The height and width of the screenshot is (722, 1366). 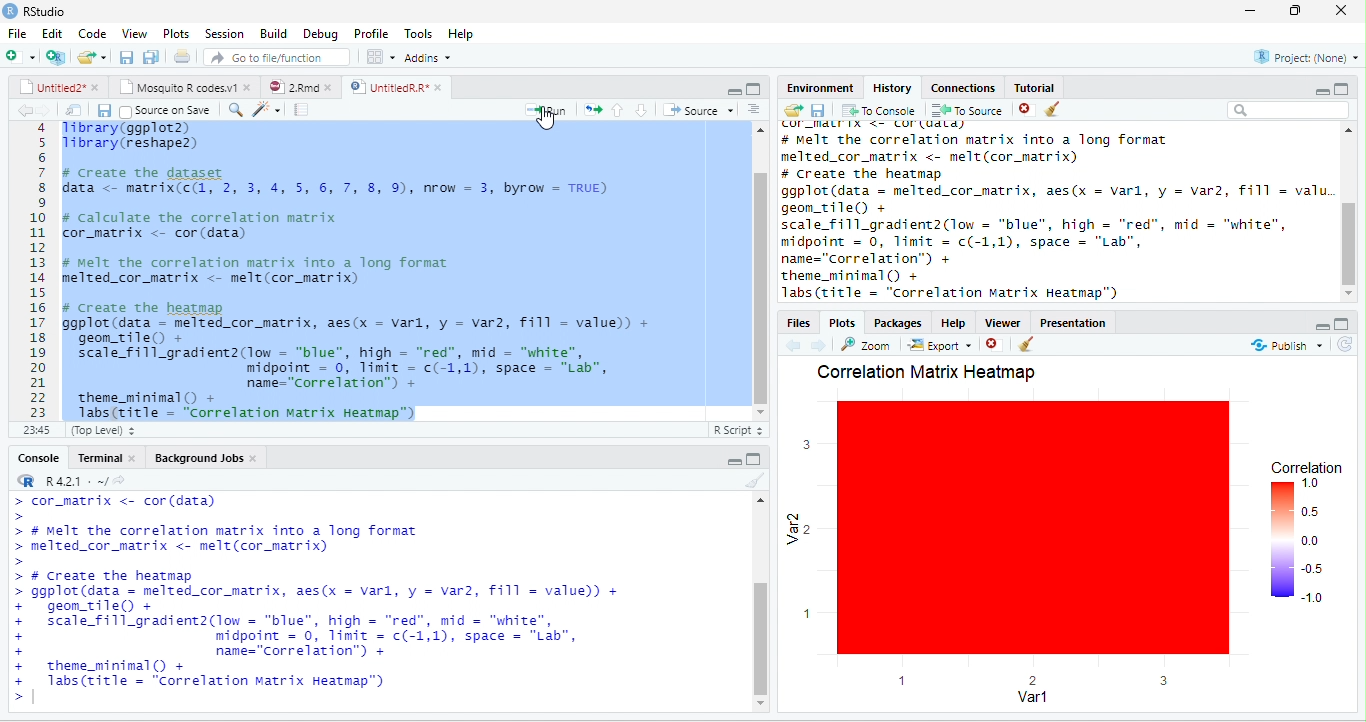 What do you see at coordinates (824, 344) in the screenshot?
I see `next` at bounding box center [824, 344].